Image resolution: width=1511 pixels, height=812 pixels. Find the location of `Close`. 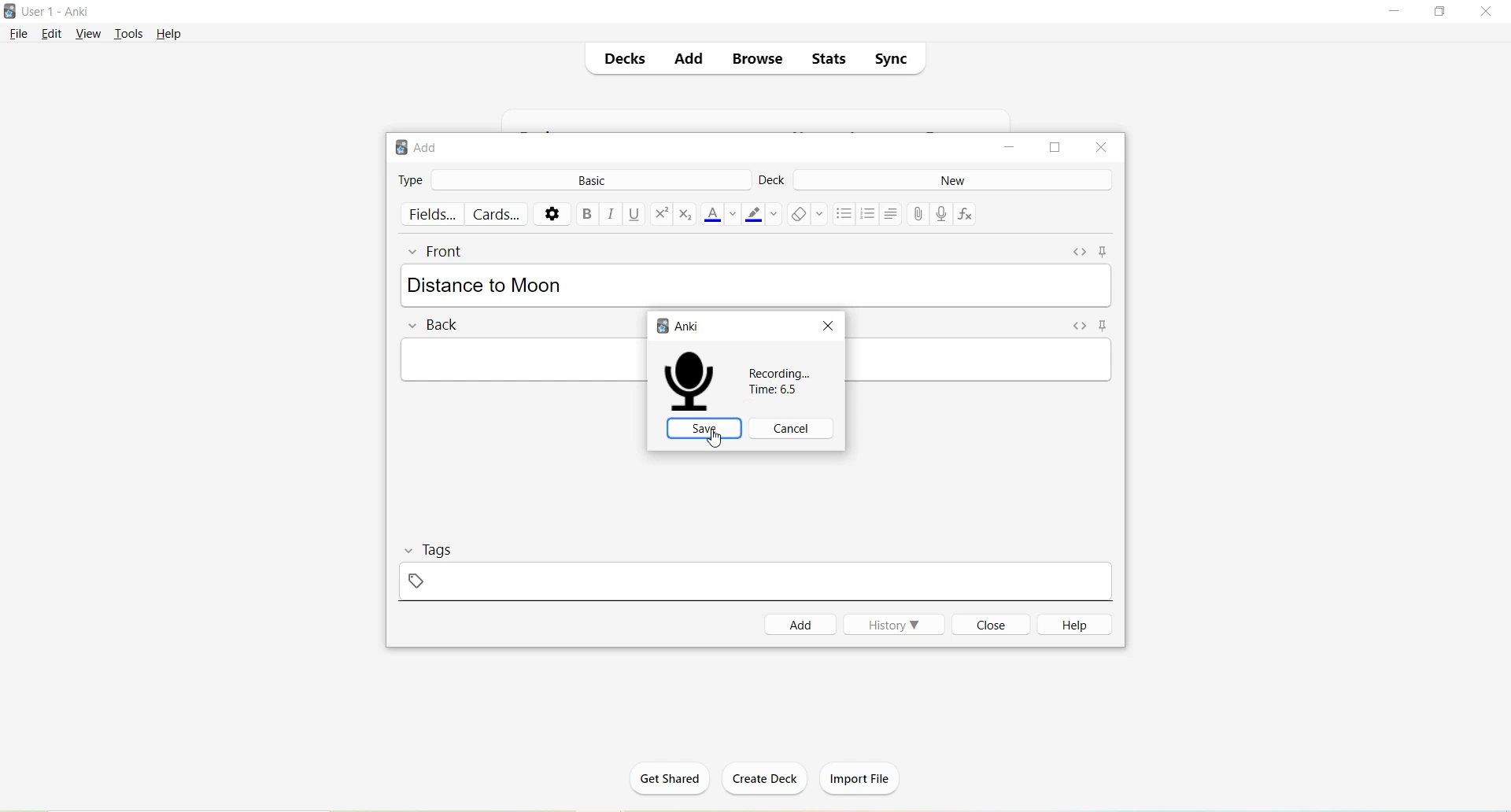

Close is located at coordinates (1486, 12).